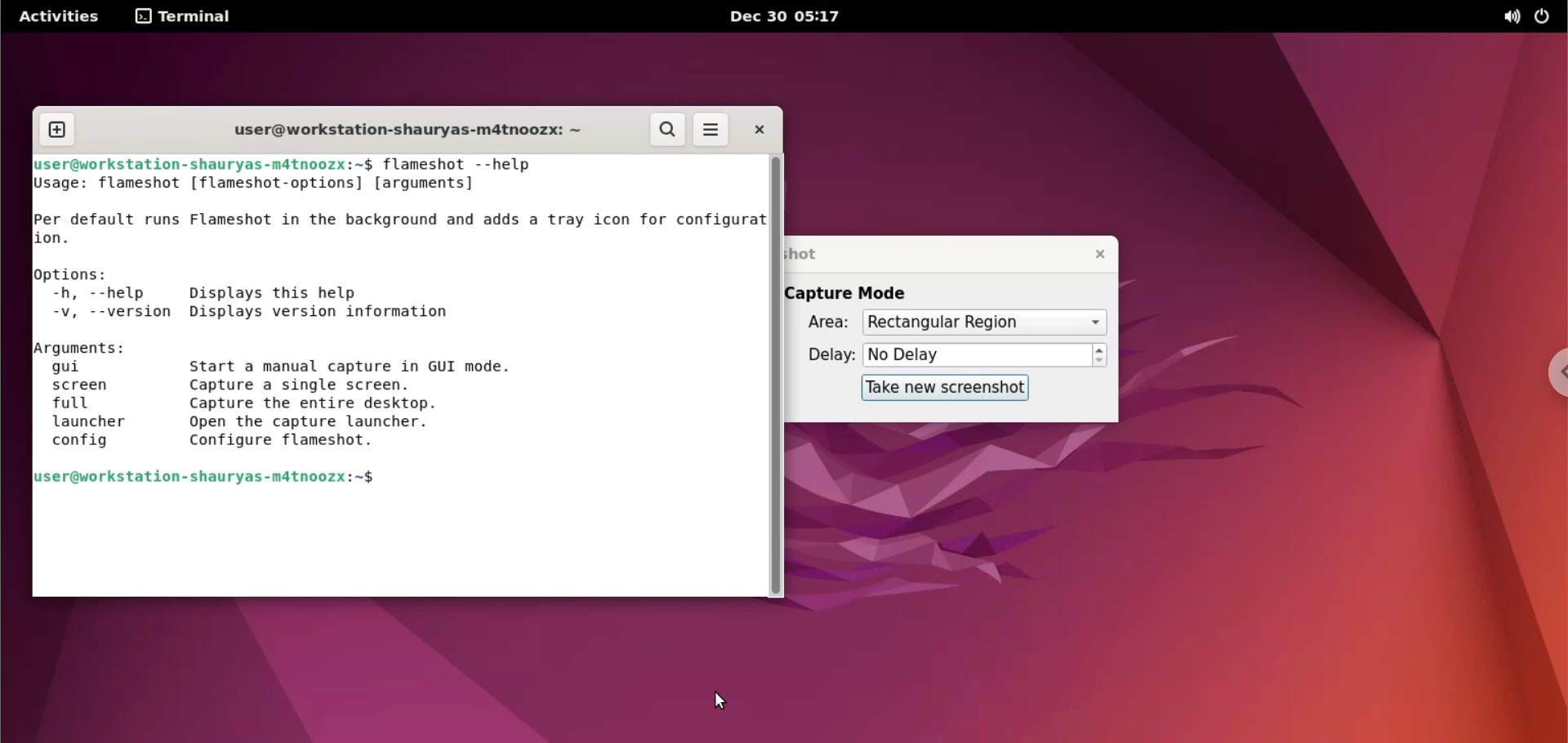 The height and width of the screenshot is (743, 1568). I want to click on new tab, so click(55, 129).